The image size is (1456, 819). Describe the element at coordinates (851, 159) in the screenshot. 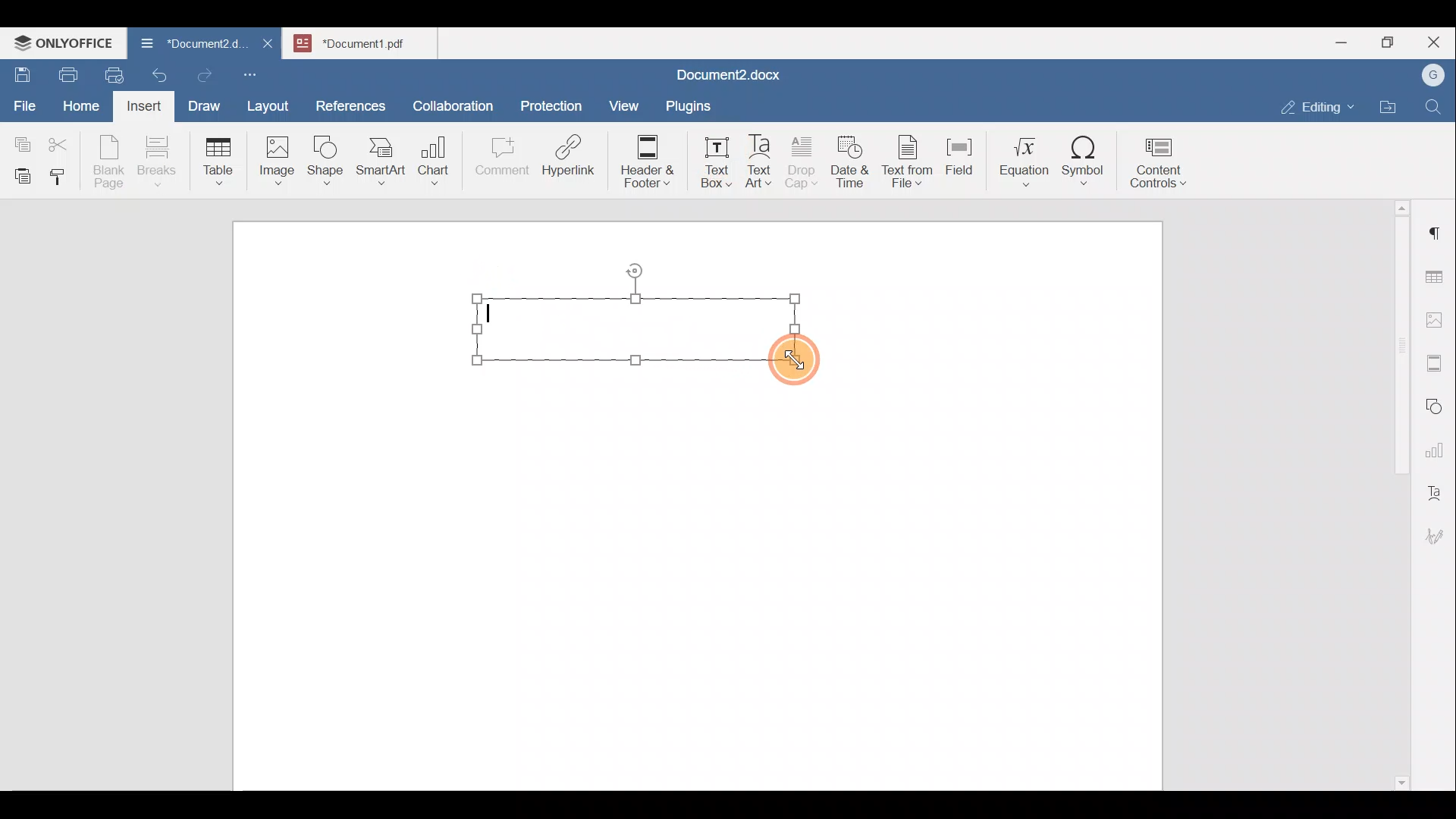

I see `Date & time` at that location.